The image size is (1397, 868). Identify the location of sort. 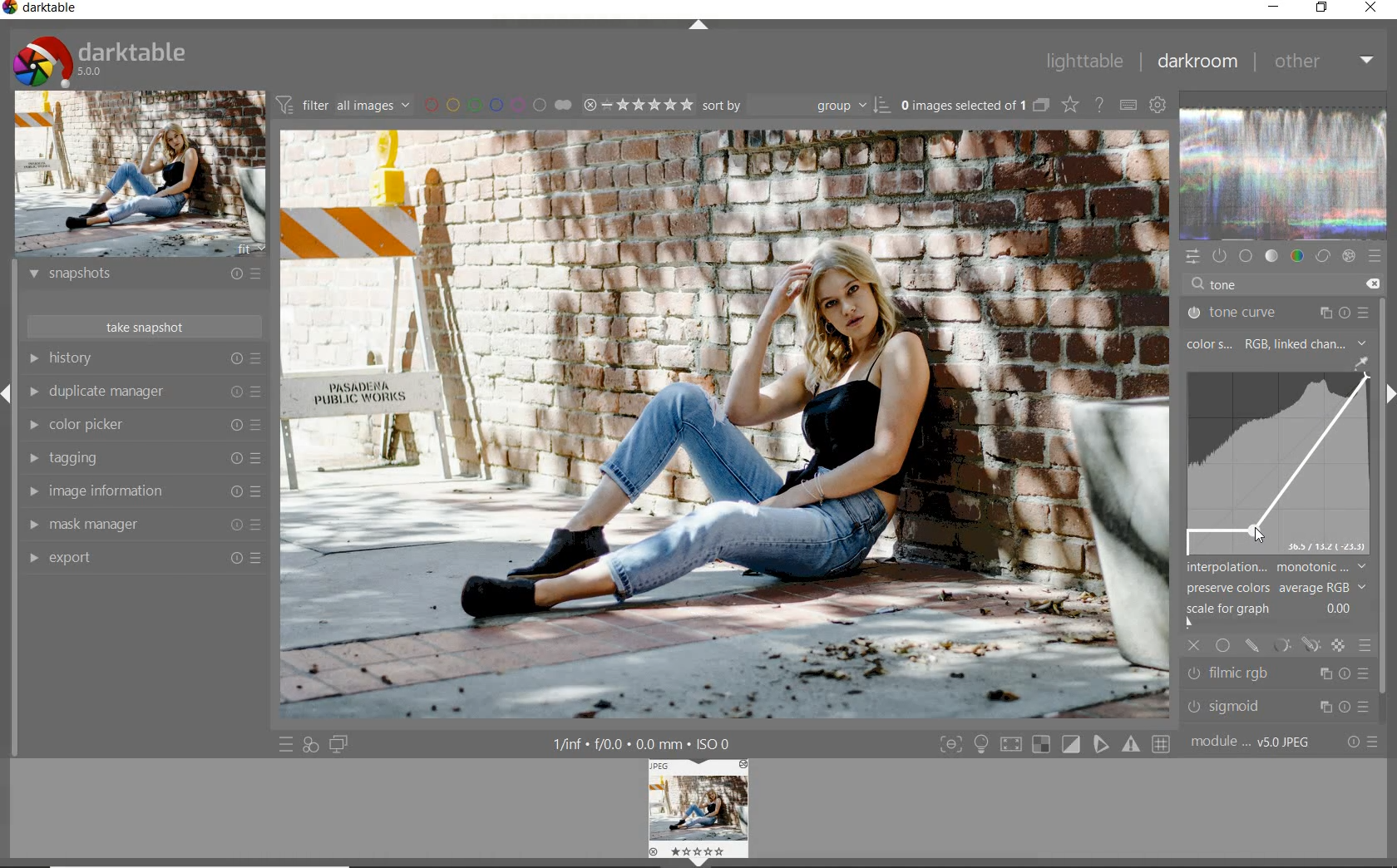
(797, 108).